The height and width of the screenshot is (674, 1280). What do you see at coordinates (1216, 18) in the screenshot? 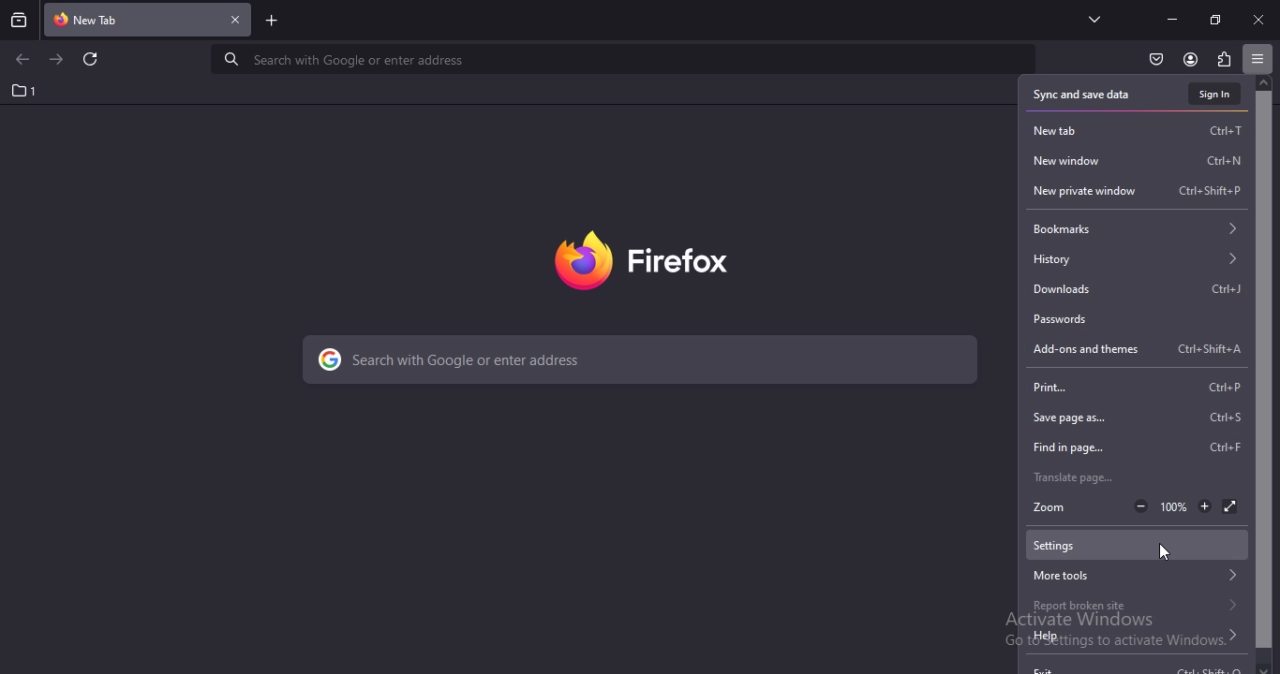
I see `restore windows` at bounding box center [1216, 18].